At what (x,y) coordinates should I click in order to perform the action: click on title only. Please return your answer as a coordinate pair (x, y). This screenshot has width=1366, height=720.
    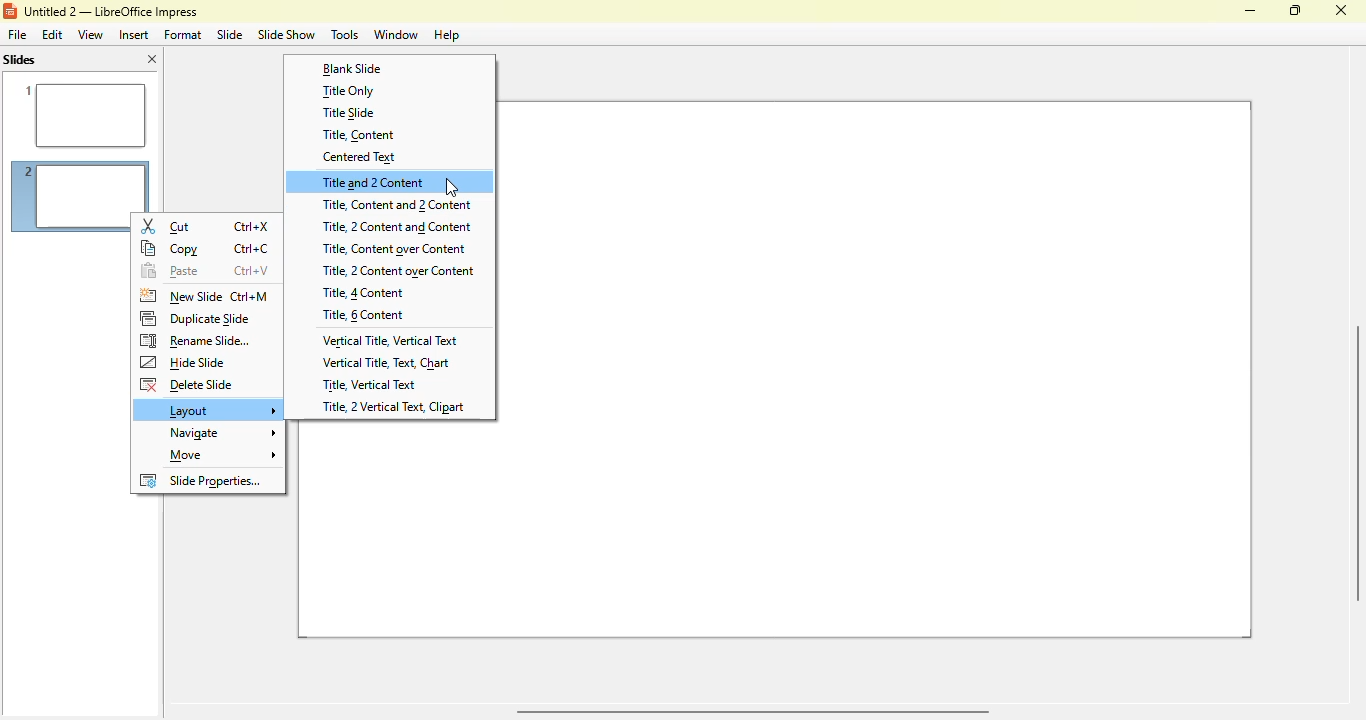
    Looking at the image, I should click on (349, 92).